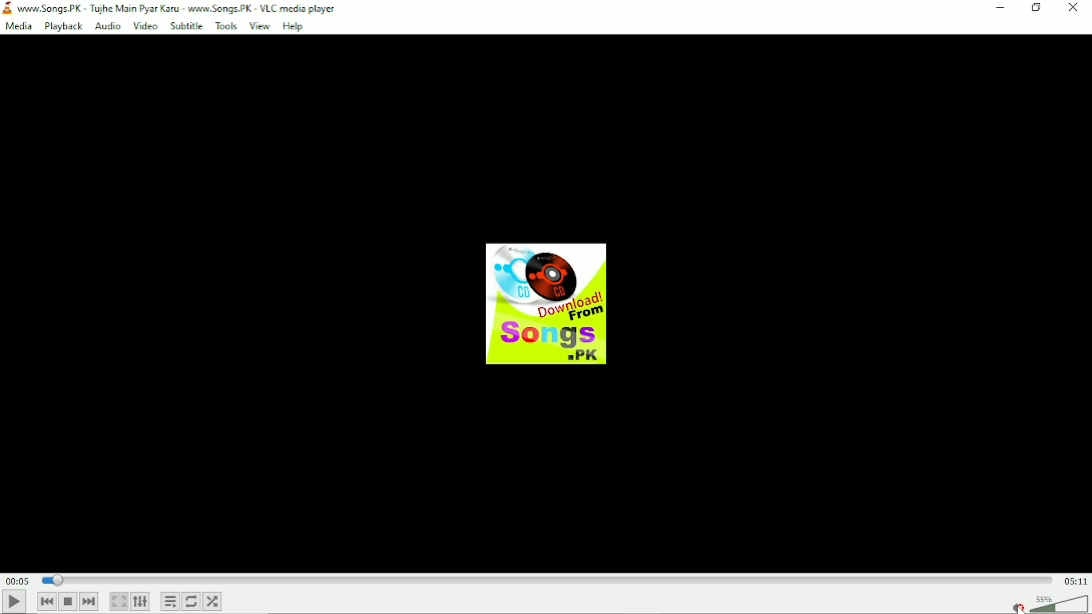 The image size is (1092, 614). I want to click on Play duration, so click(544, 579).